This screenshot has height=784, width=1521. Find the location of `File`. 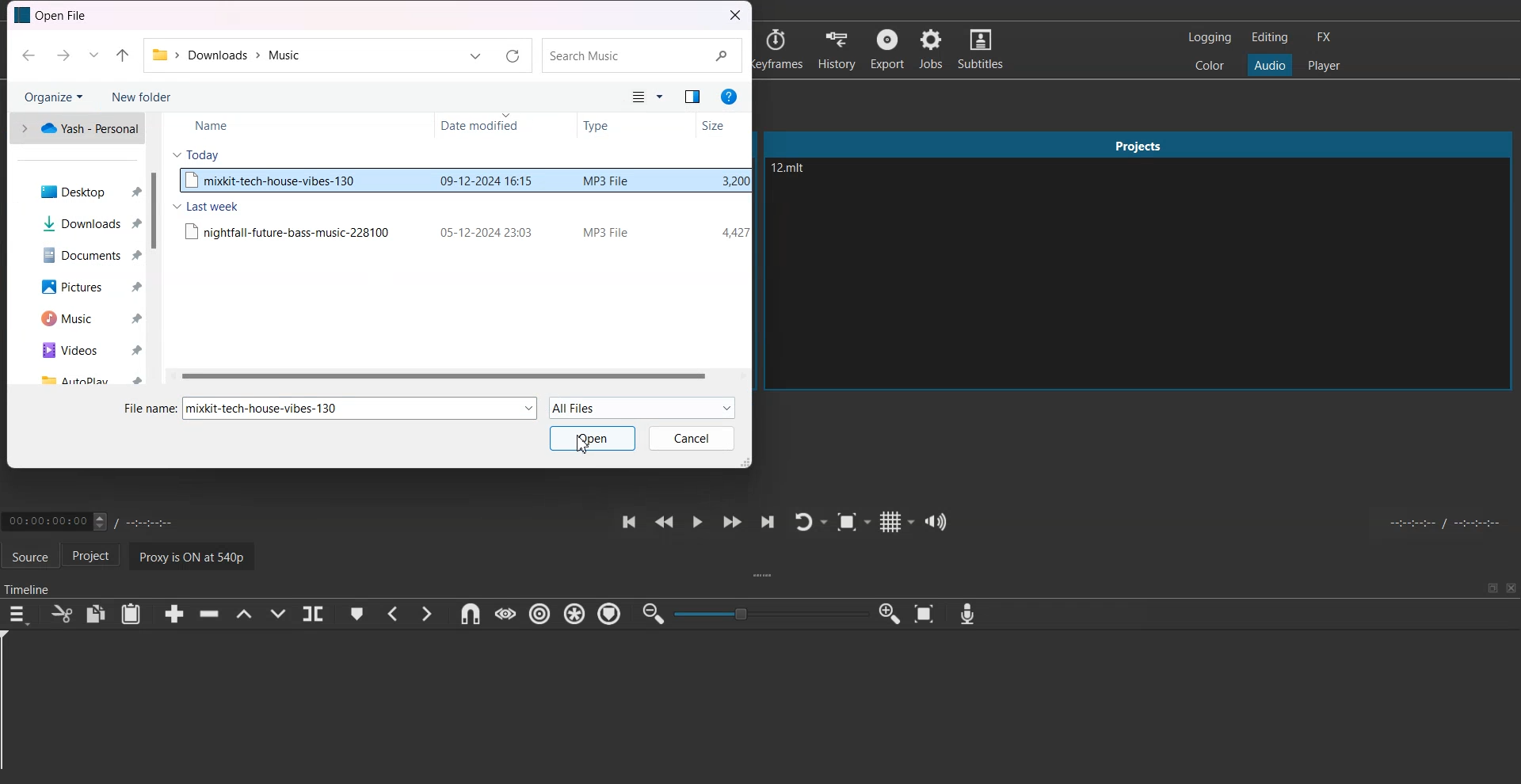

File is located at coordinates (463, 182).